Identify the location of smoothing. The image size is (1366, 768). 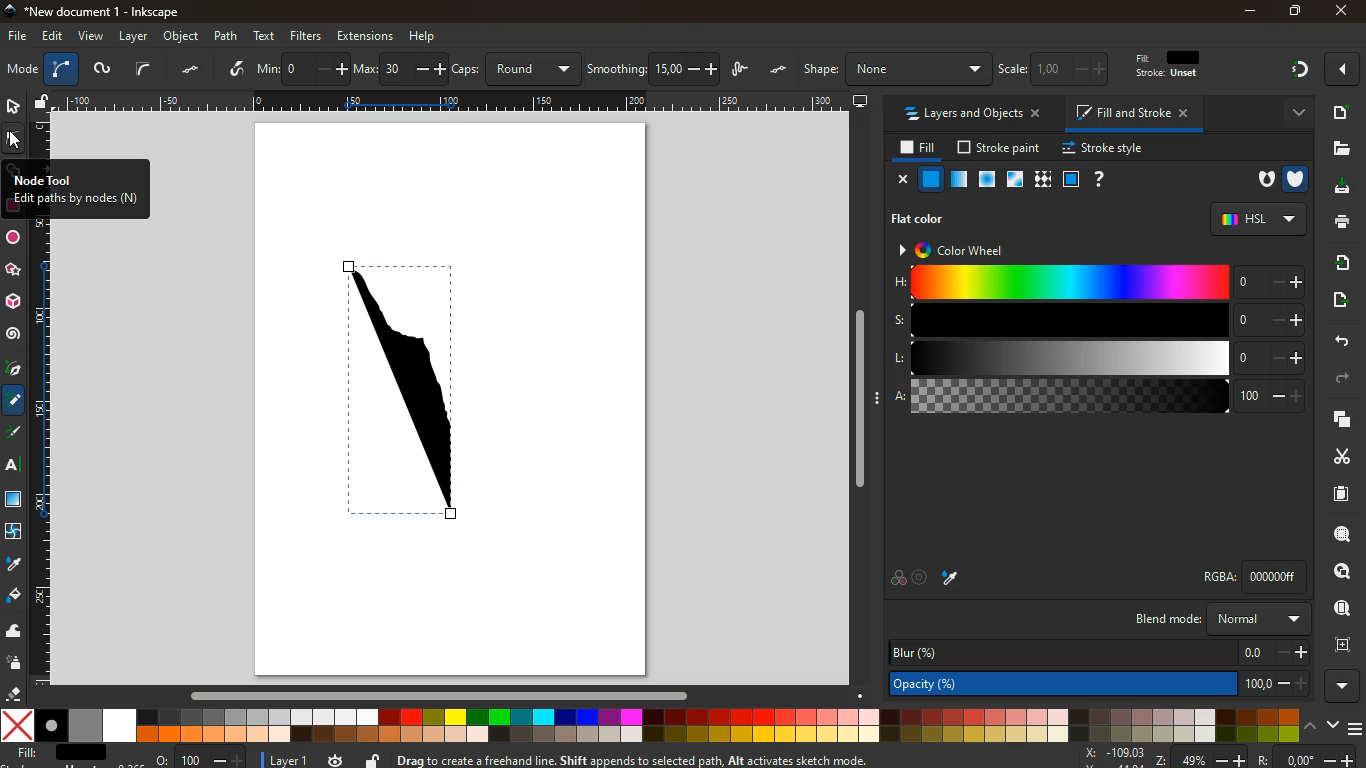
(652, 67).